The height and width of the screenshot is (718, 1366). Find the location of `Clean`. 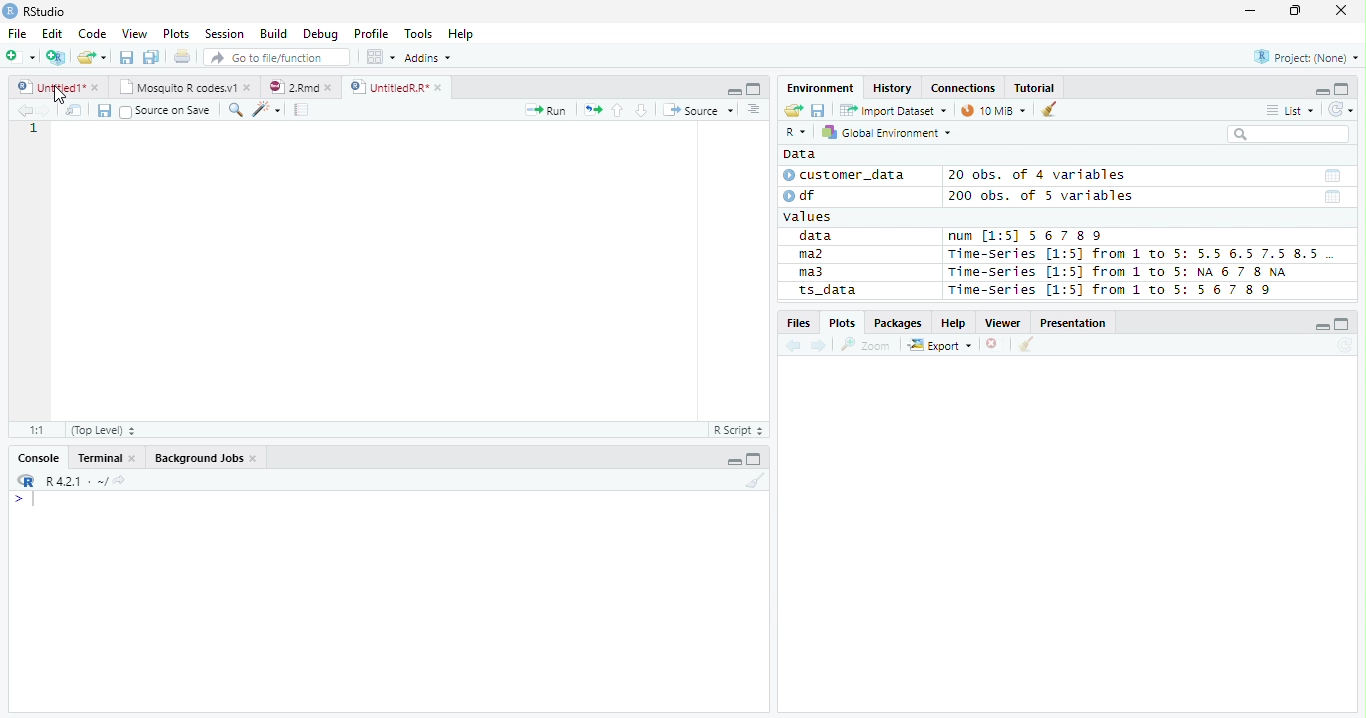

Clean is located at coordinates (755, 482).